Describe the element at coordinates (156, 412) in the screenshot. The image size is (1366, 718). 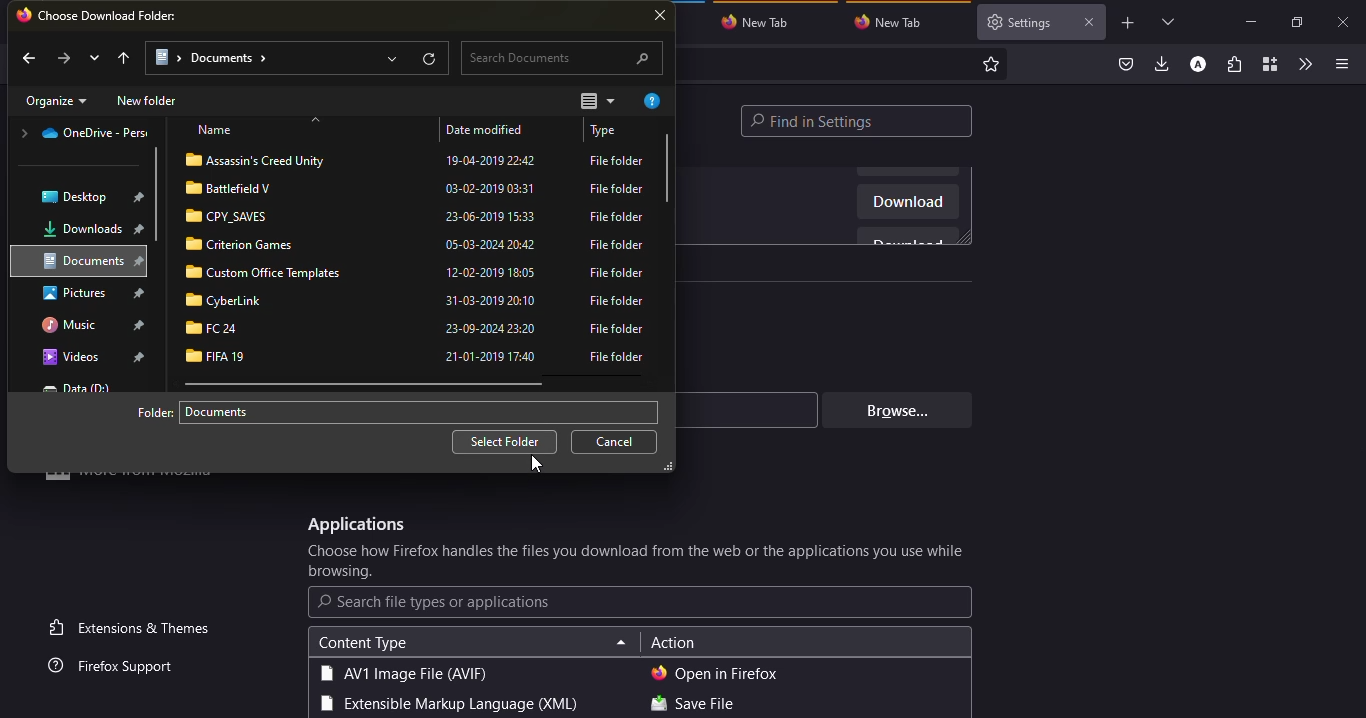
I see `folder` at that location.